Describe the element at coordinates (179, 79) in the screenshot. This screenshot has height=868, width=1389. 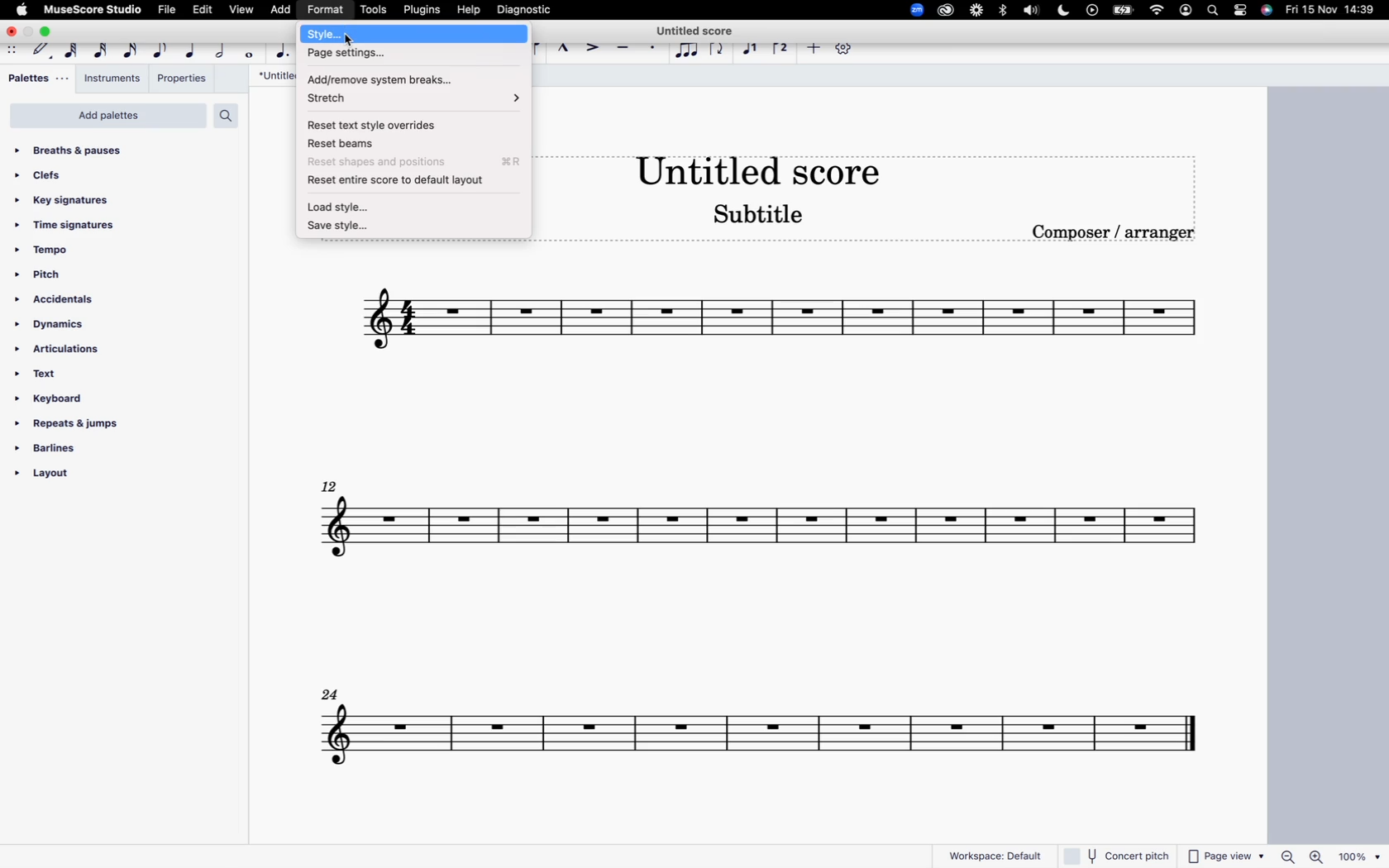
I see `properties` at that location.